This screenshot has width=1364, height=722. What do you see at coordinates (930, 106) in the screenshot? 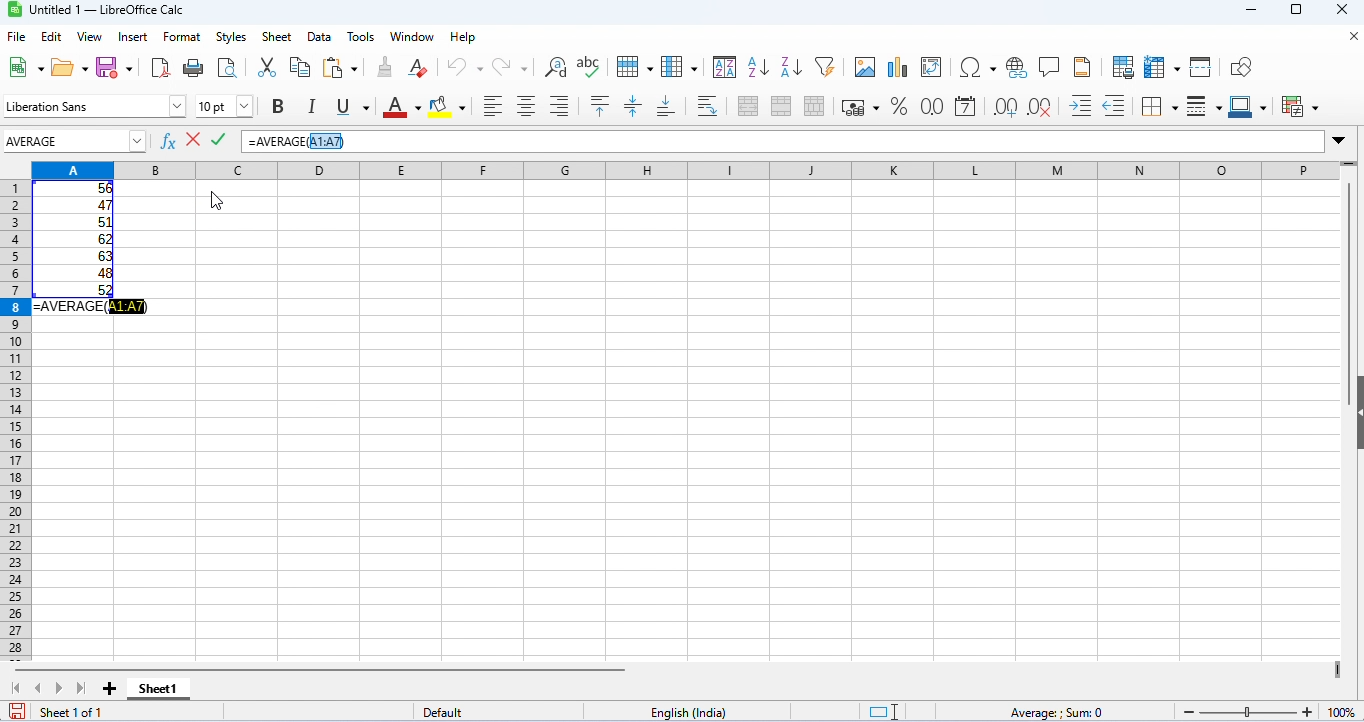
I see `format as number` at bounding box center [930, 106].